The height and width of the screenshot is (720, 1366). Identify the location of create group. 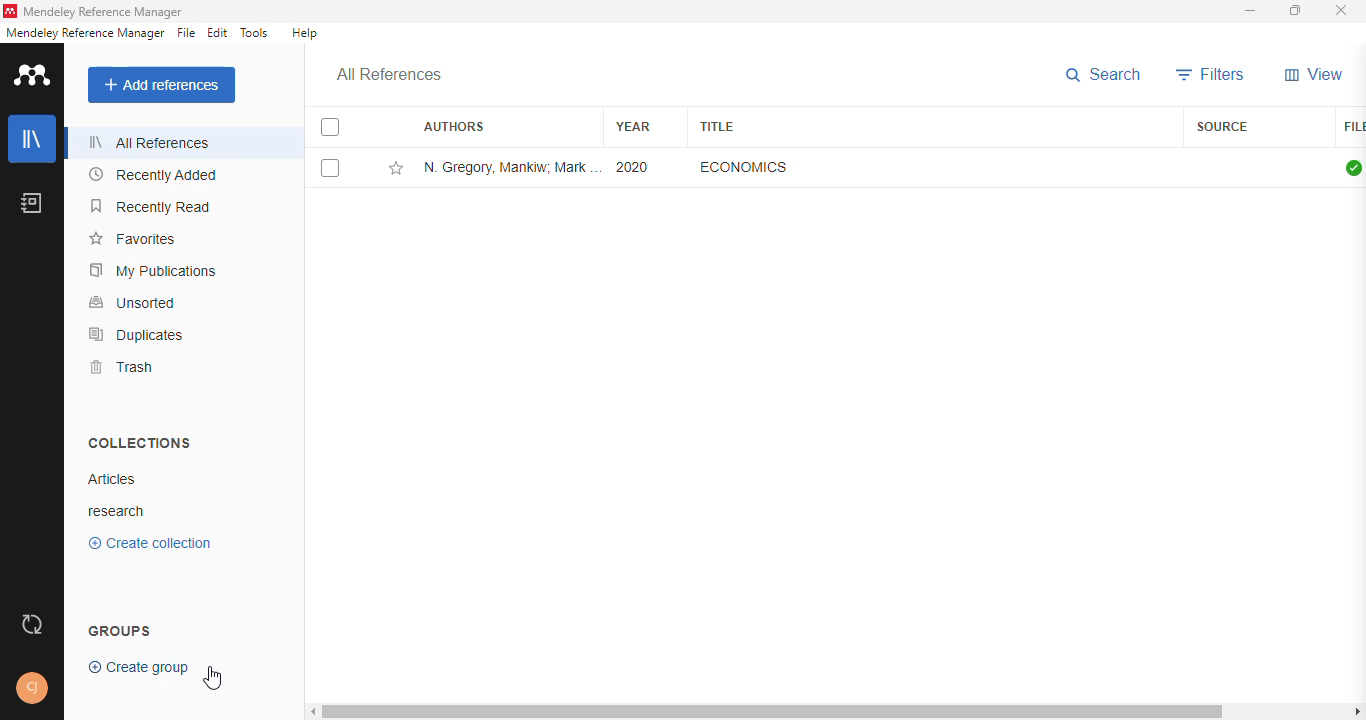
(138, 668).